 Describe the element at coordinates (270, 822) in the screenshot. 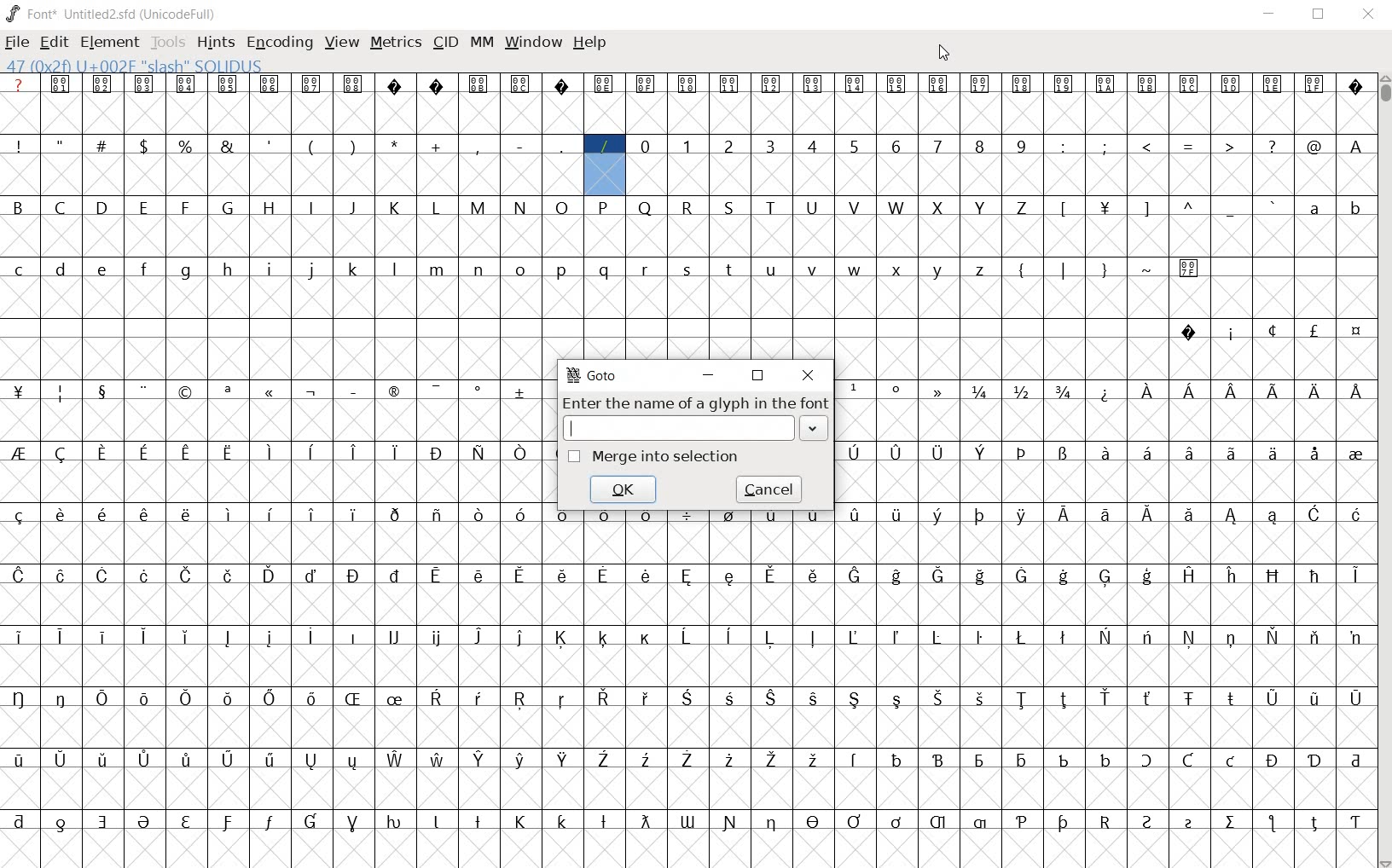

I see `glyph` at that location.